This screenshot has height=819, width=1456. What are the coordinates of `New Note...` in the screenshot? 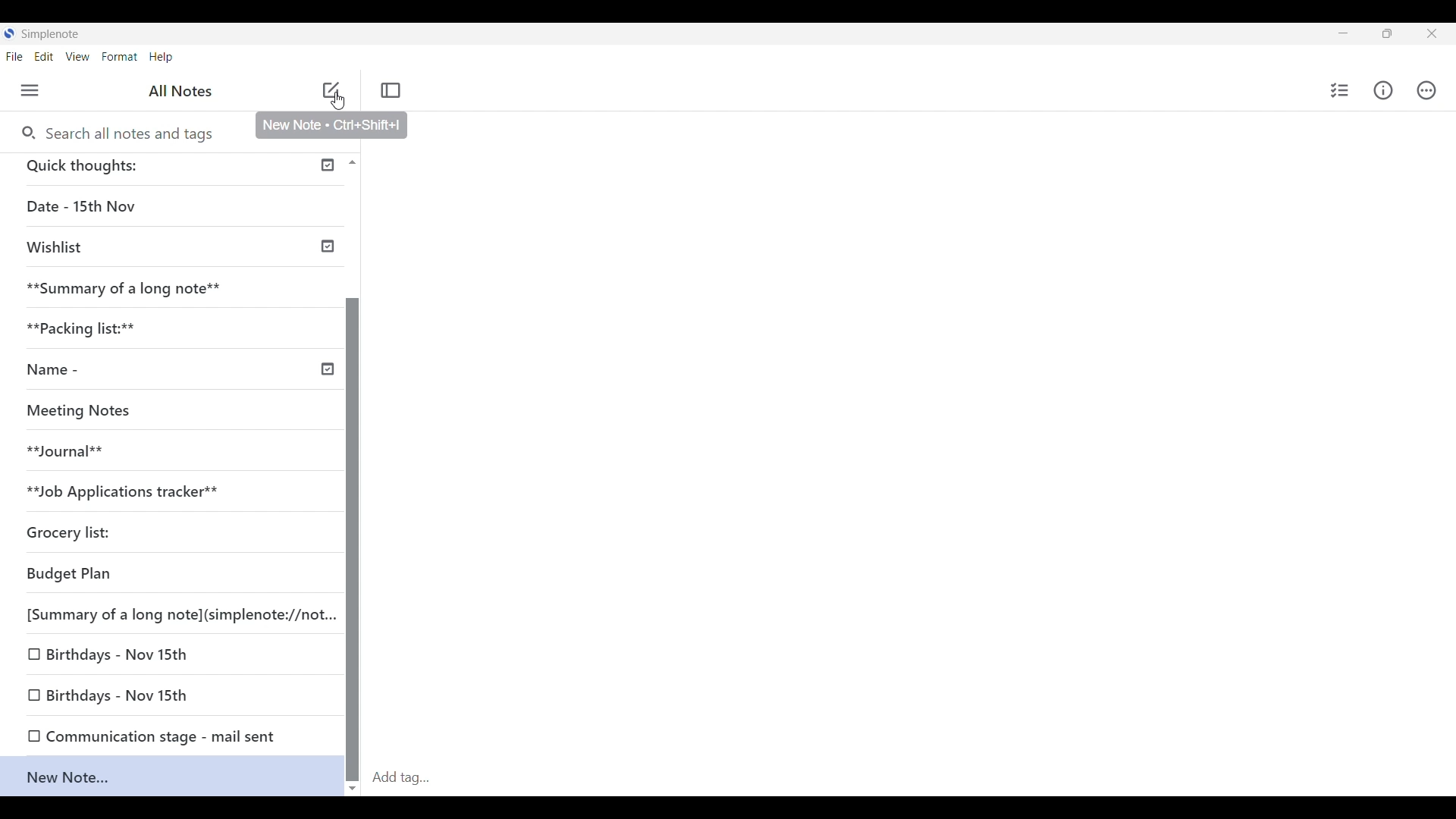 It's located at (174, 778).